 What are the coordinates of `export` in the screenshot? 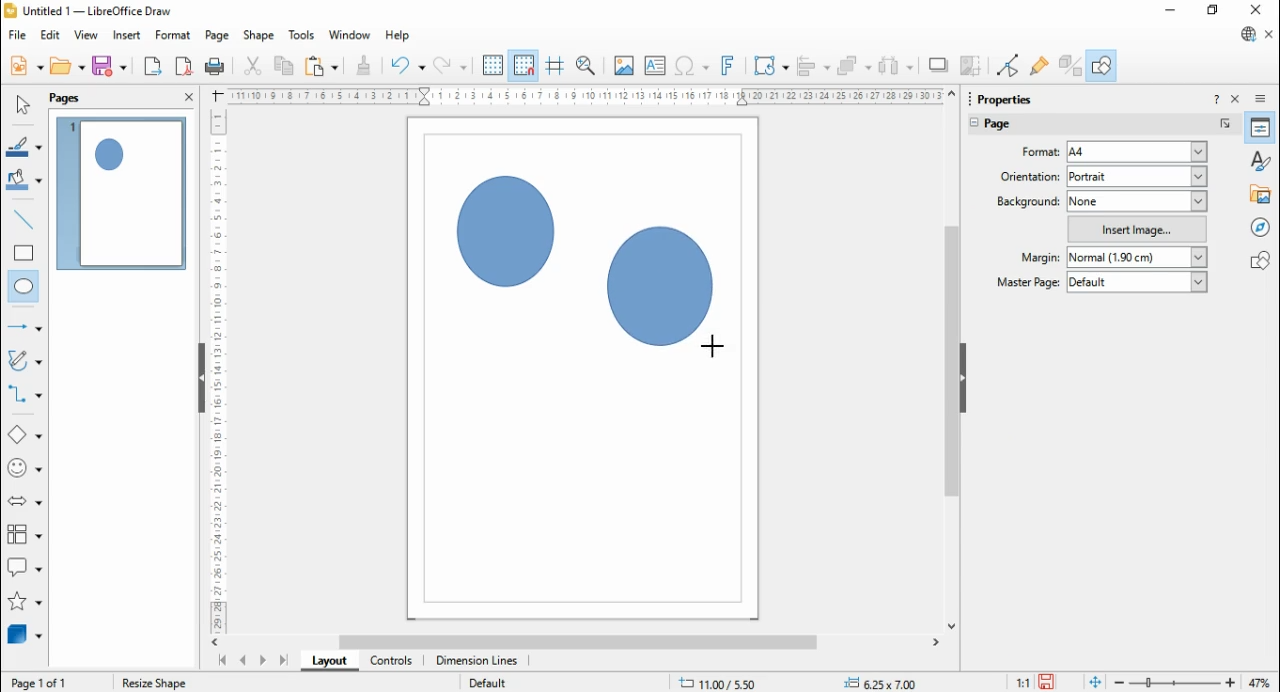 It's located at (152, 66).